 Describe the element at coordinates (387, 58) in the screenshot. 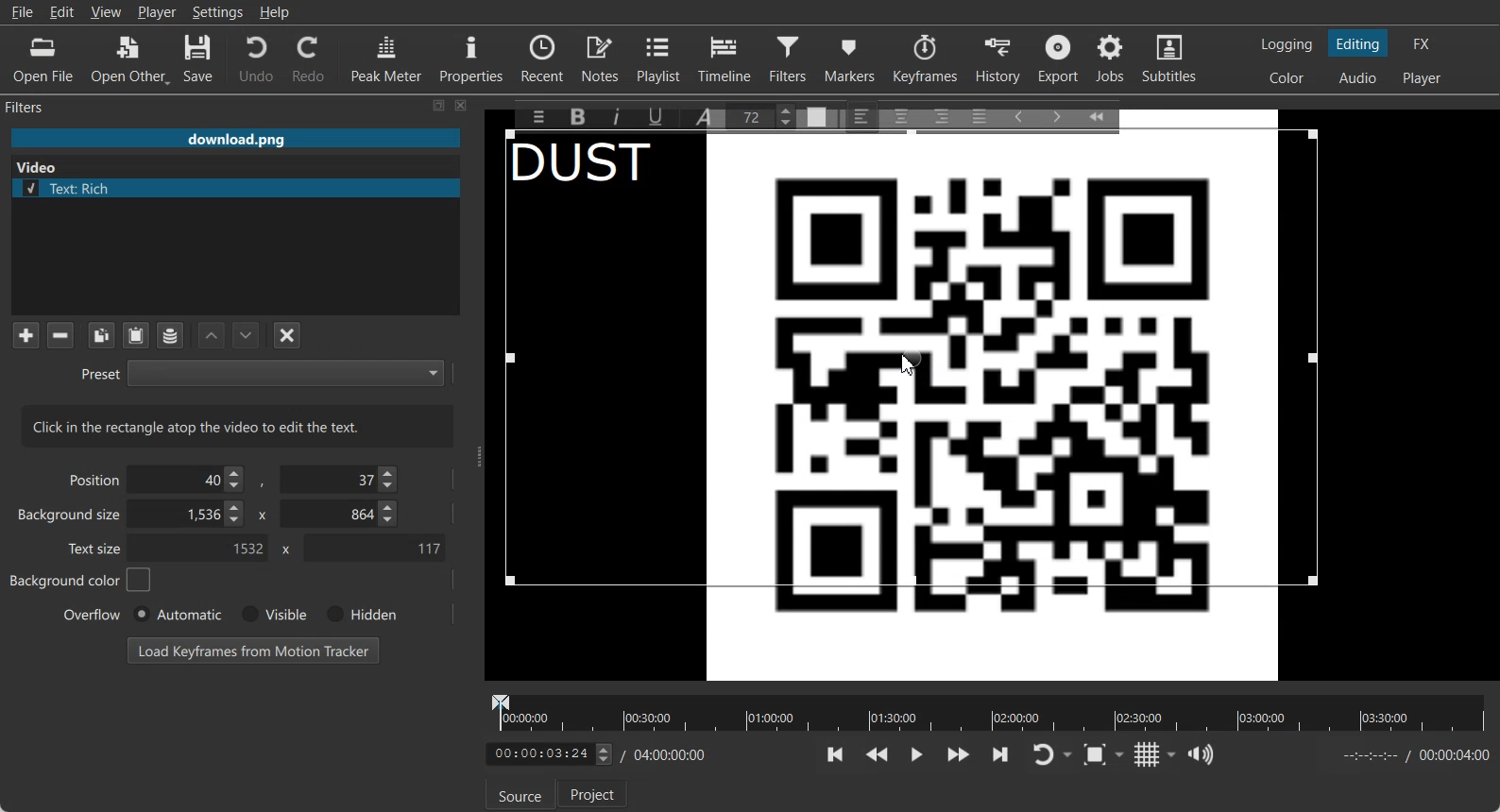

I see `Peak Meter` at that location.